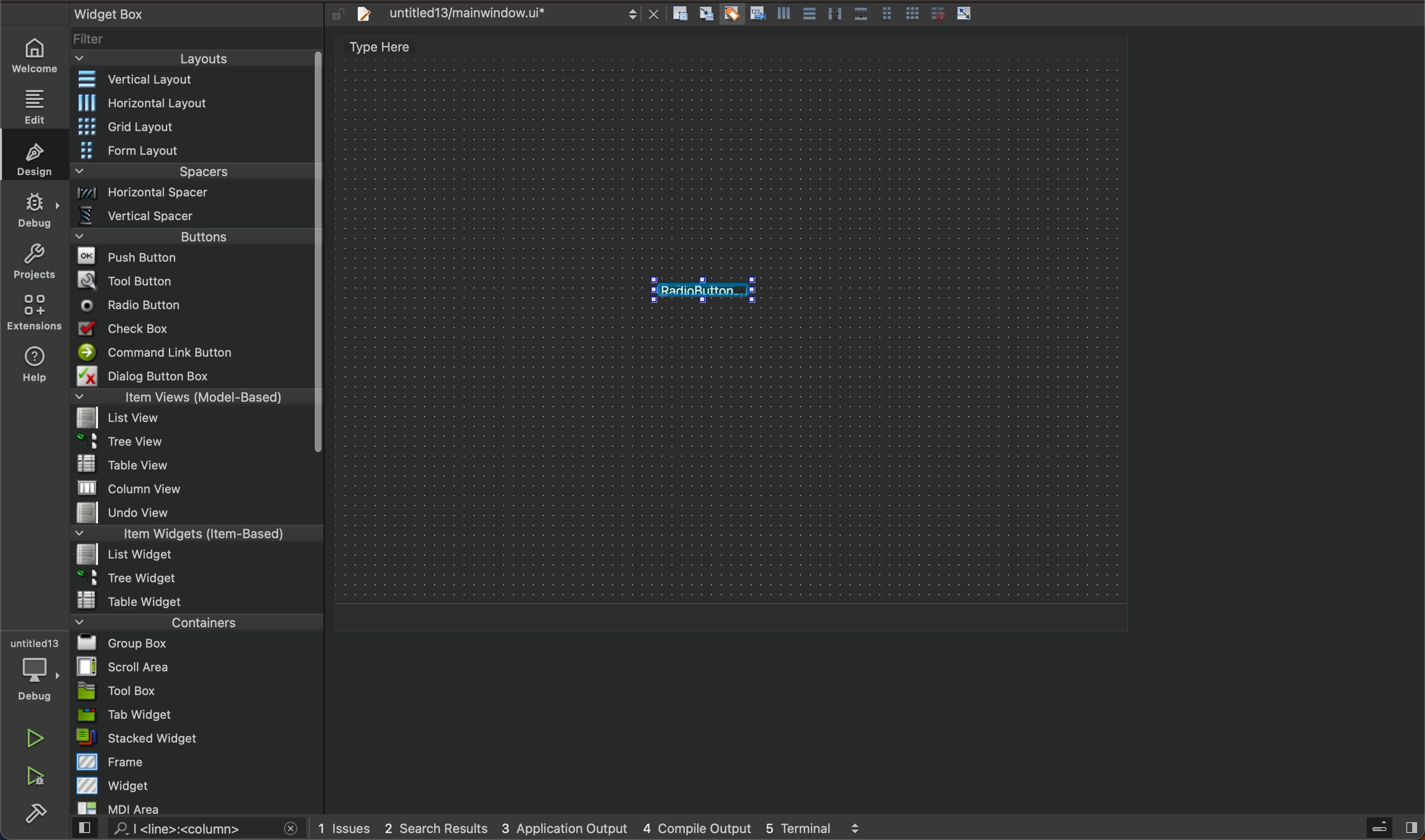 This screenshot has height=840, width=1425. Describe the element at coordinates (36, 815) in the screenshot. I see `build` at that location.